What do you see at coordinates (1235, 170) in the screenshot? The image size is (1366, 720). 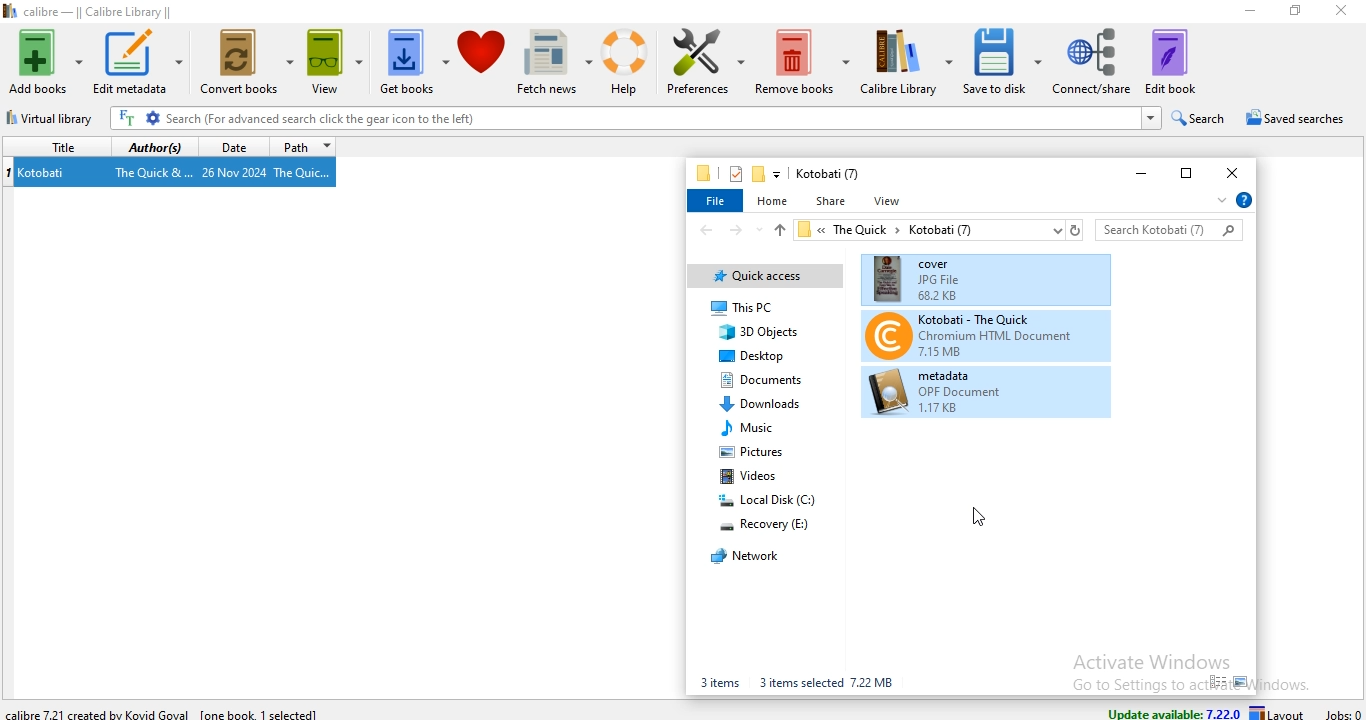 I see `close` at bounding box center [1235, 170].